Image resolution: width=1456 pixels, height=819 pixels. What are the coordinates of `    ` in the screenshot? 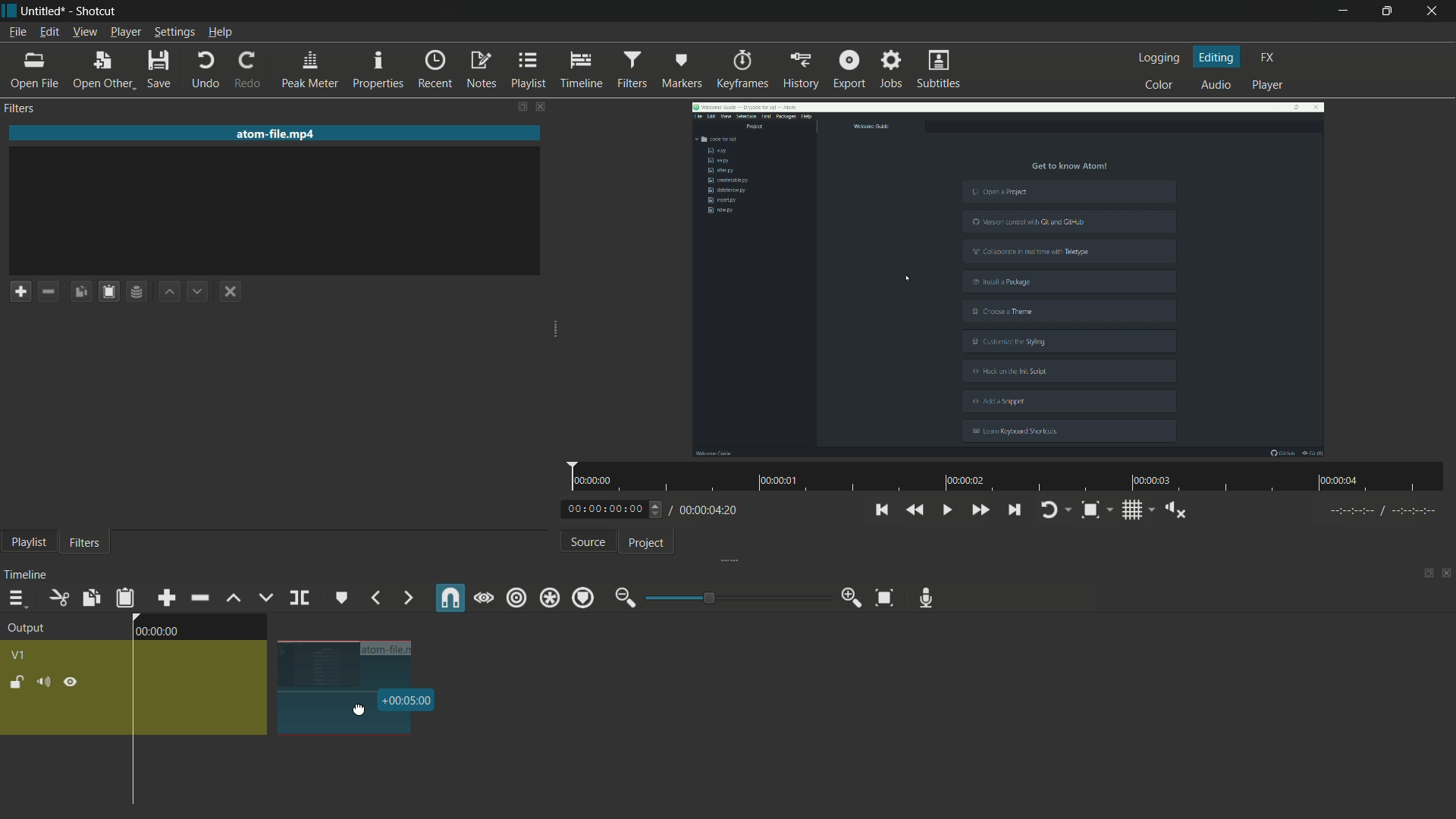 It's located at (167, 598).